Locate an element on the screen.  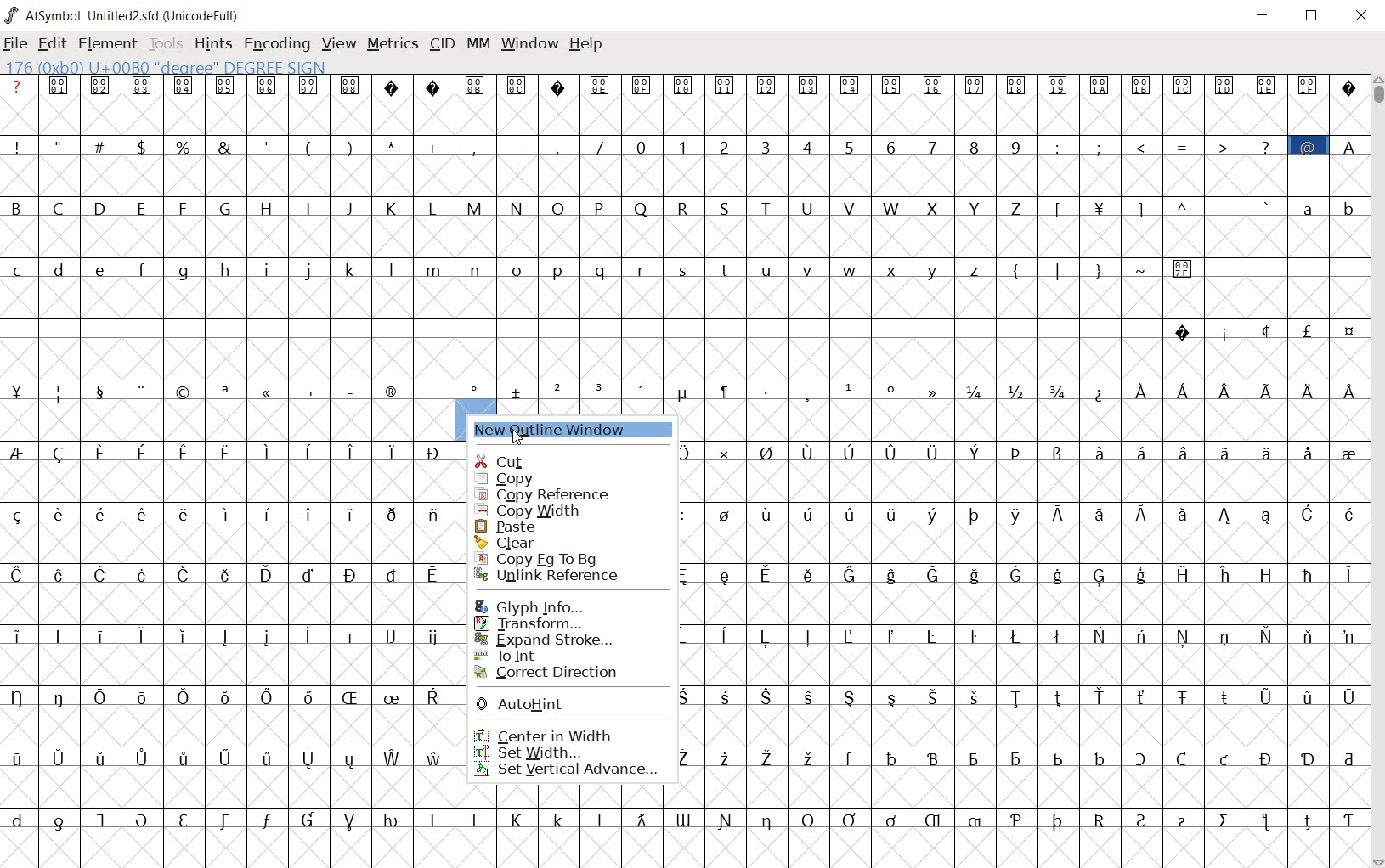
edit is located at coordinates (50, 45).